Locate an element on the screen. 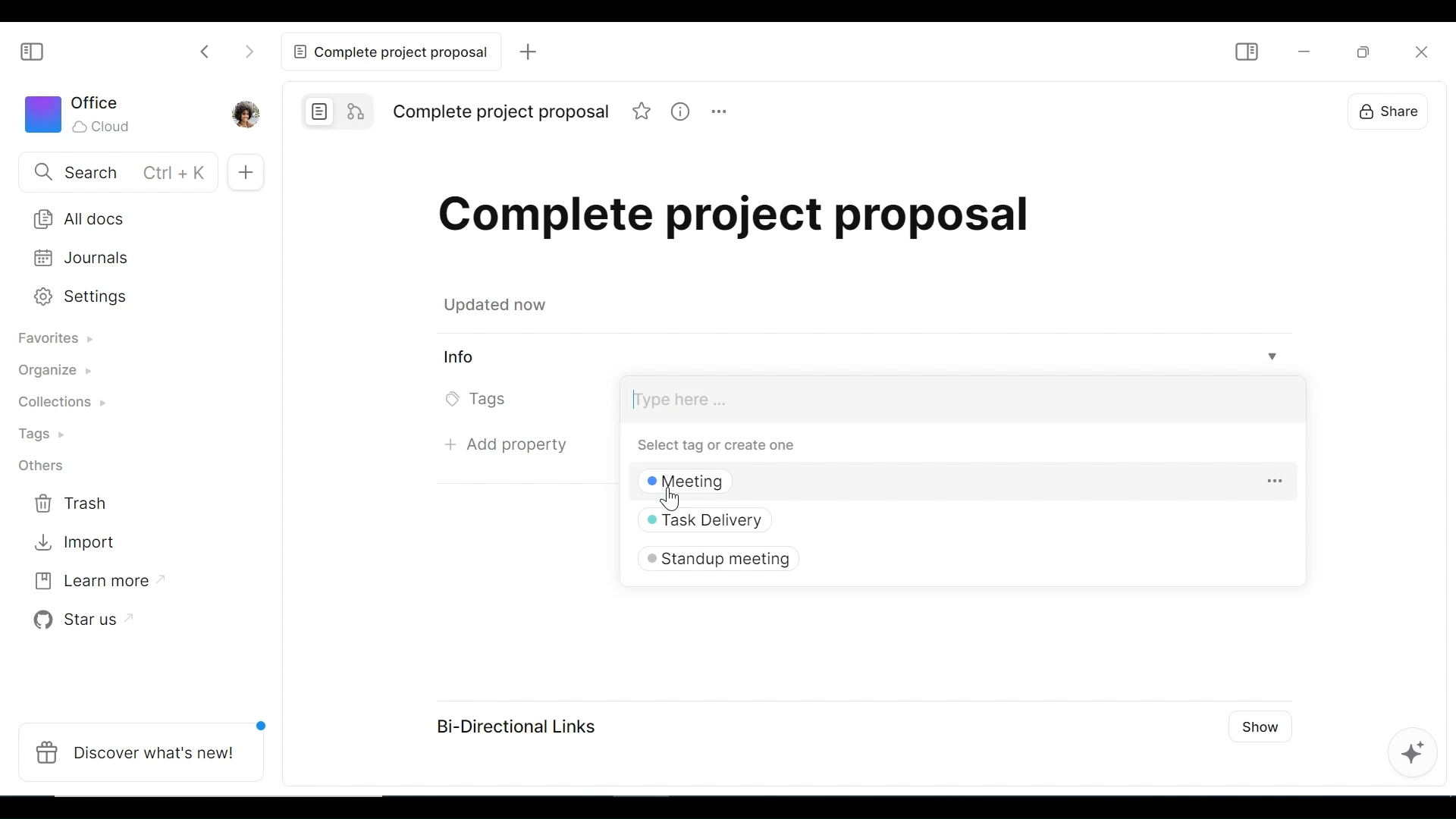 This screenshot has width=1456, height=819. Profile picture is located at coordinates (246, 113).